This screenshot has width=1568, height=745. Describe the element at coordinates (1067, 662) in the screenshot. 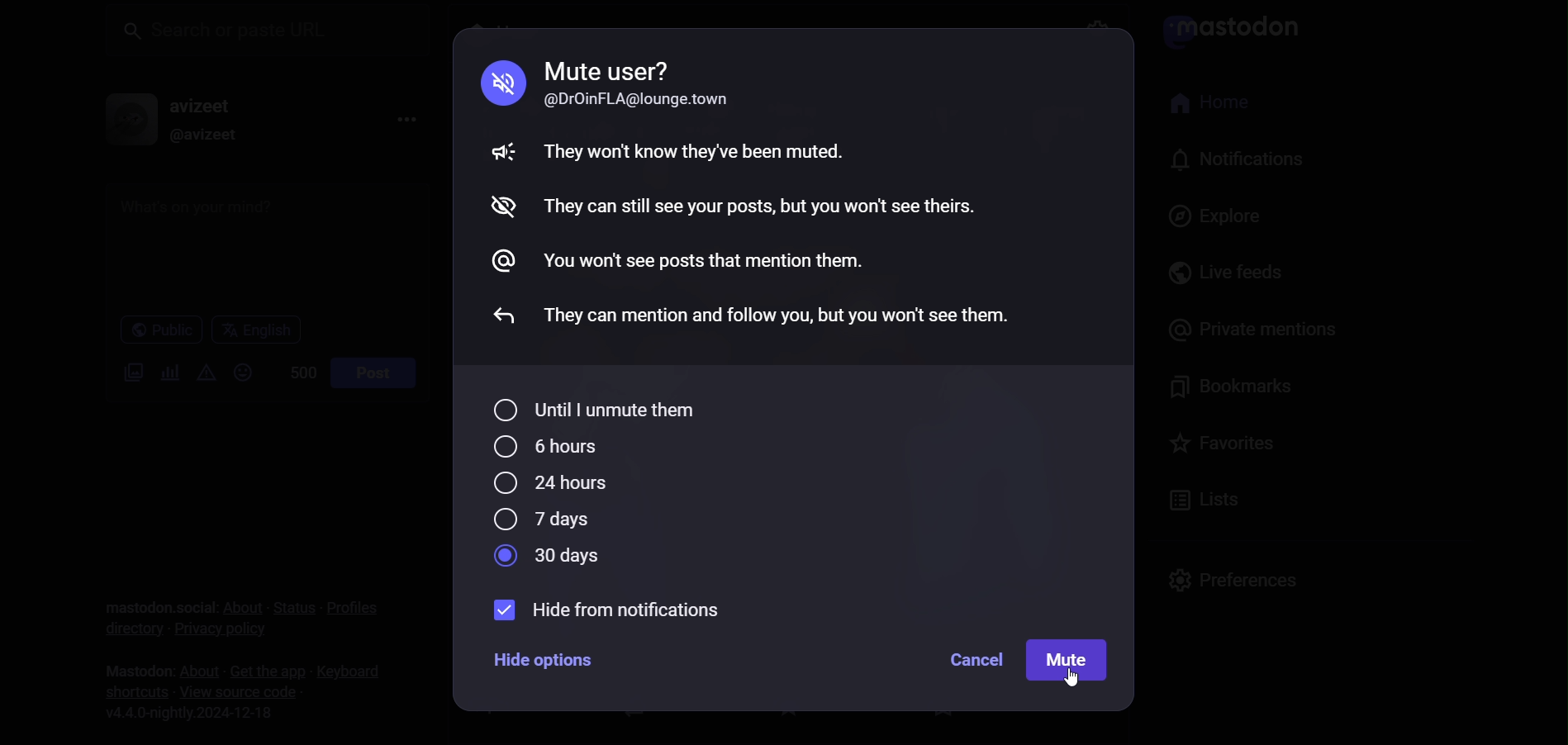

I see `mute` at that location.